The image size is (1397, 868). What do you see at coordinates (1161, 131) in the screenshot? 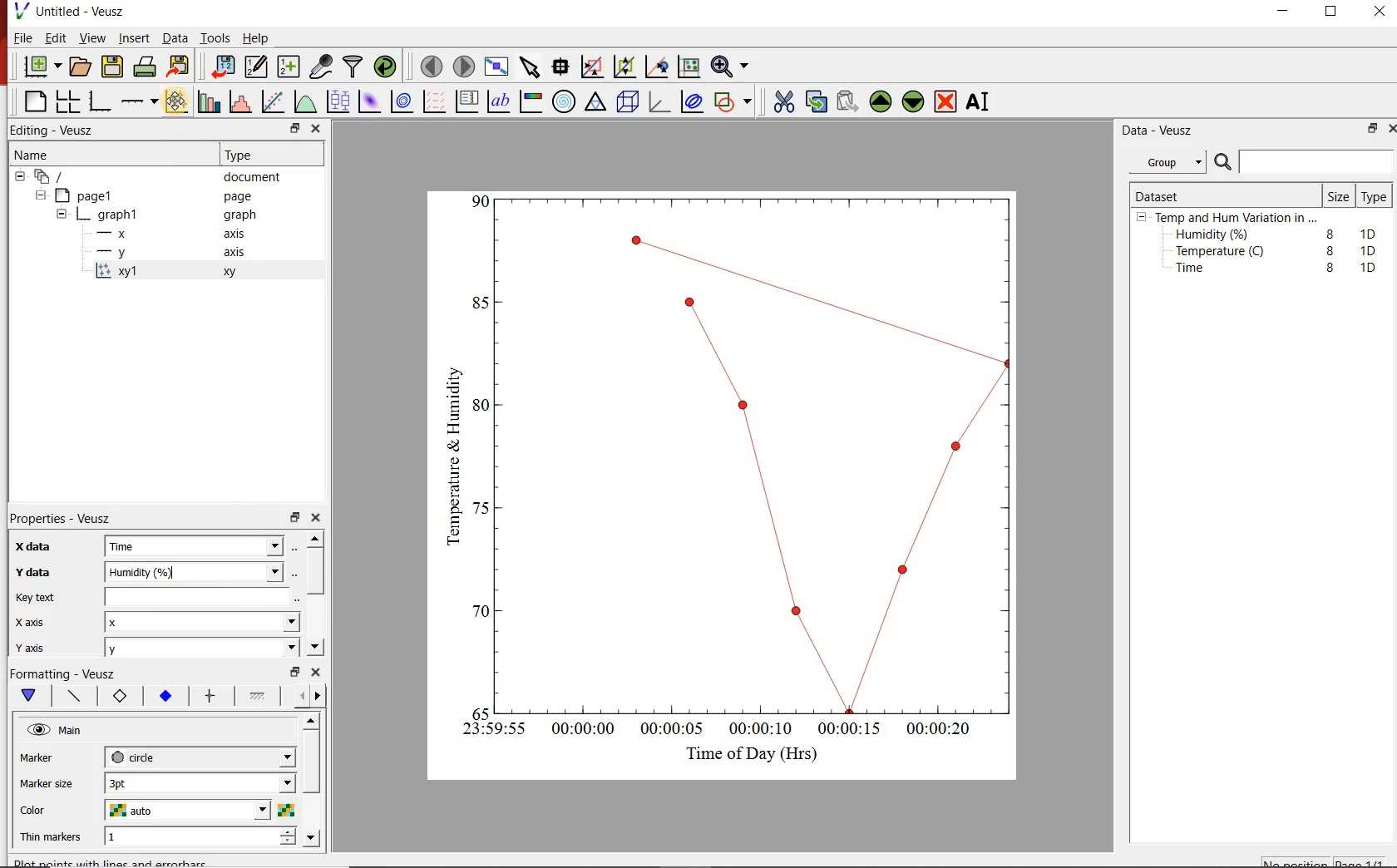
I see `Data - Veusz` at bounding box center [1161, 131].